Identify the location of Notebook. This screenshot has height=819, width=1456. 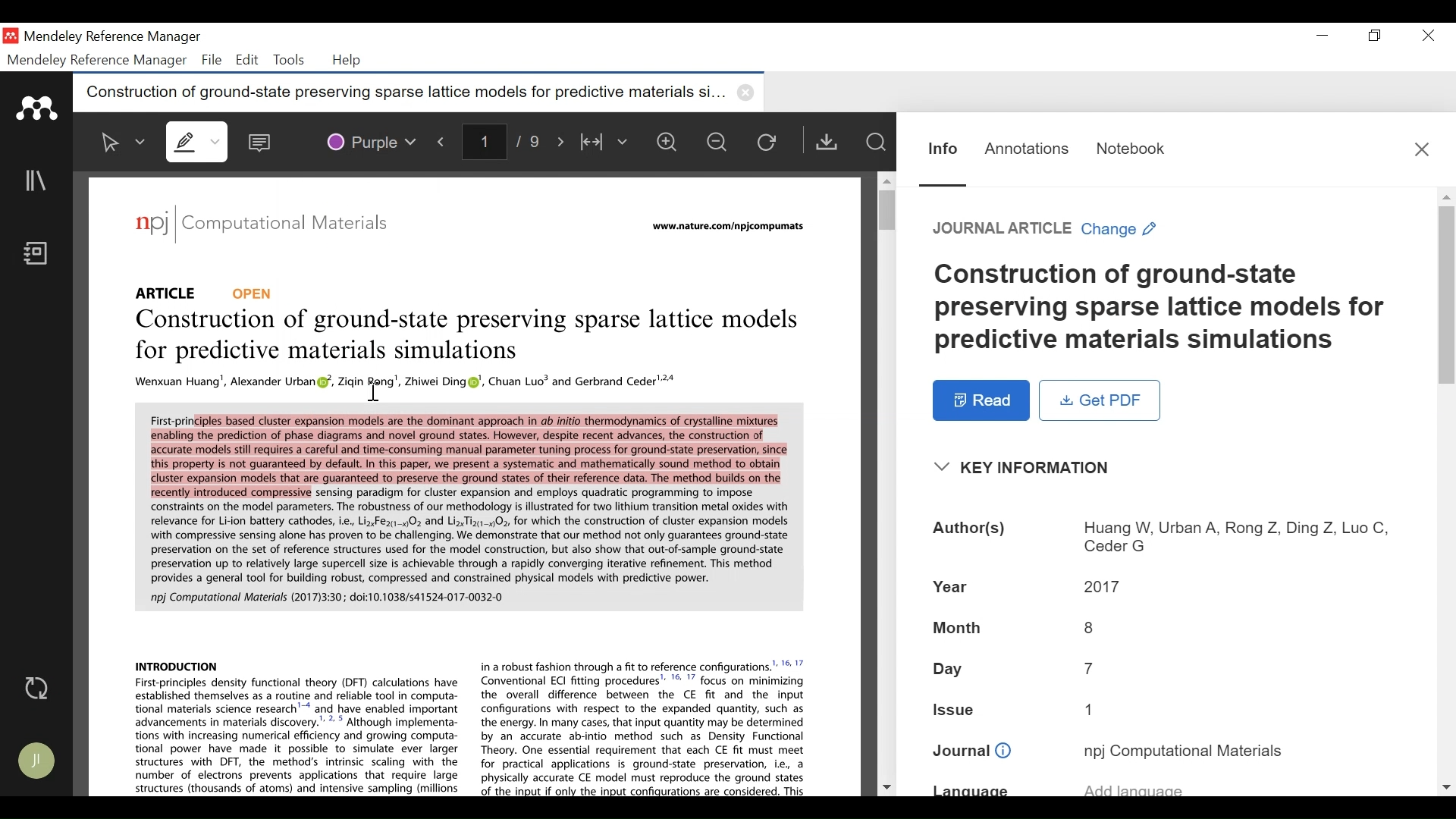
(1138, 152).